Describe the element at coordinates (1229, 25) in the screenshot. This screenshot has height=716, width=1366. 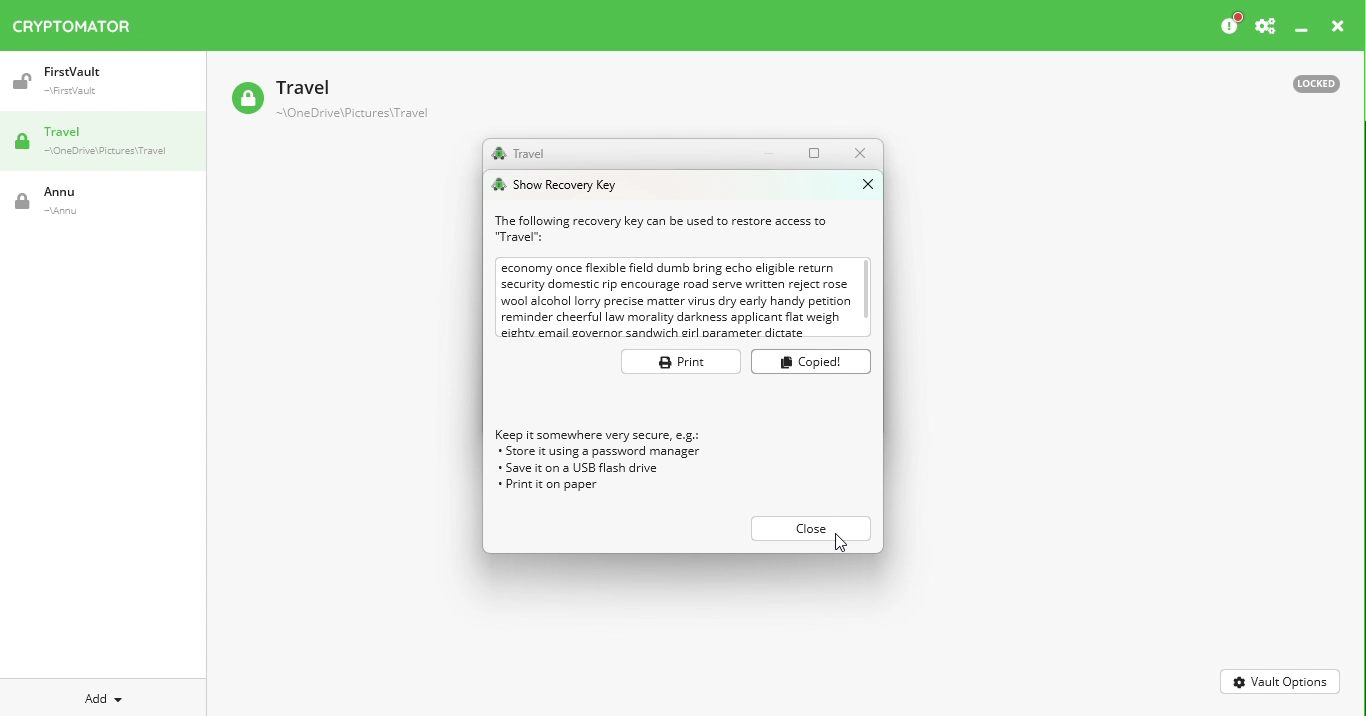
I see `Please consider donating` at that location.